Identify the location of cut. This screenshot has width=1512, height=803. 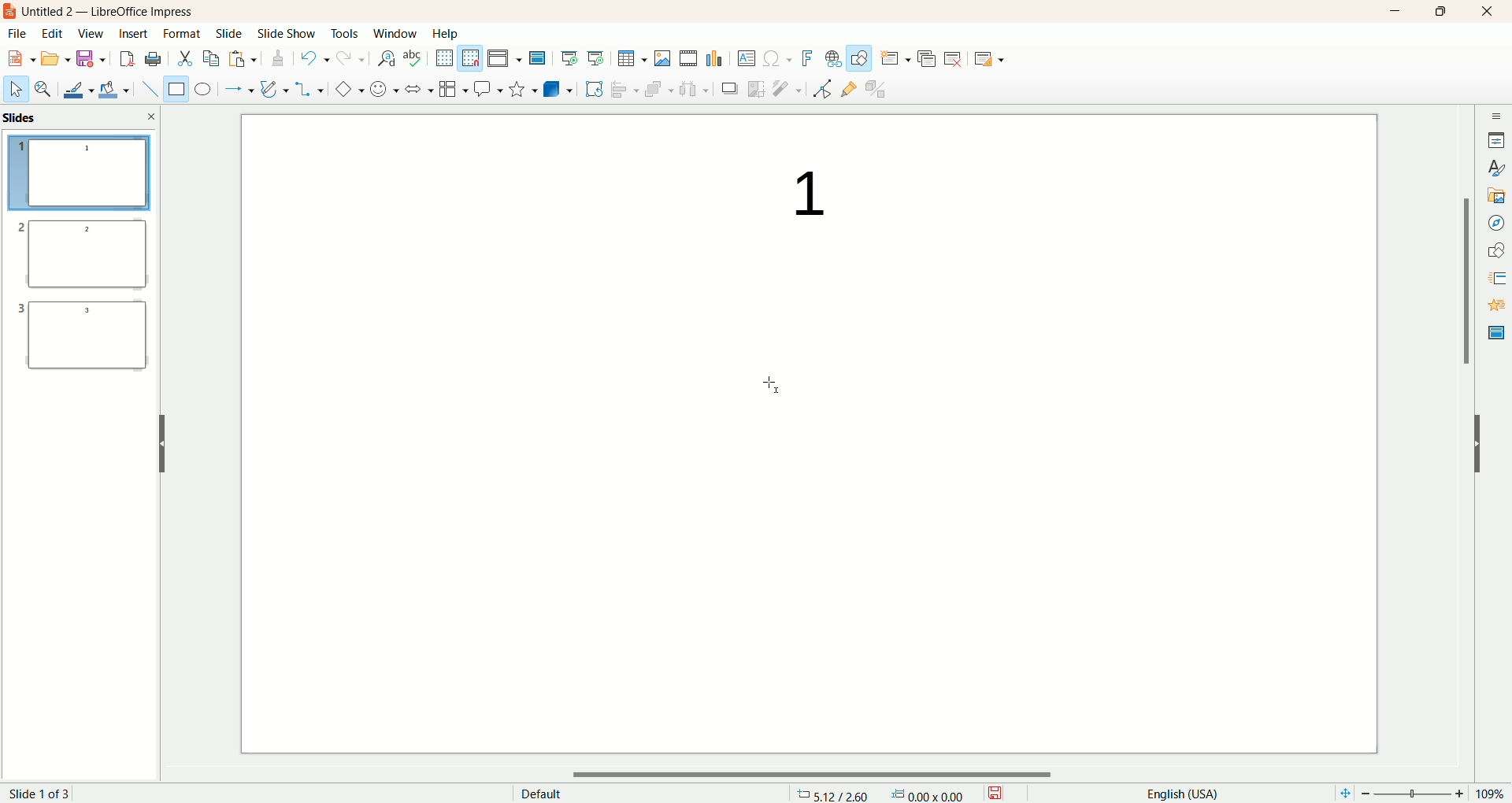
(186, 57).